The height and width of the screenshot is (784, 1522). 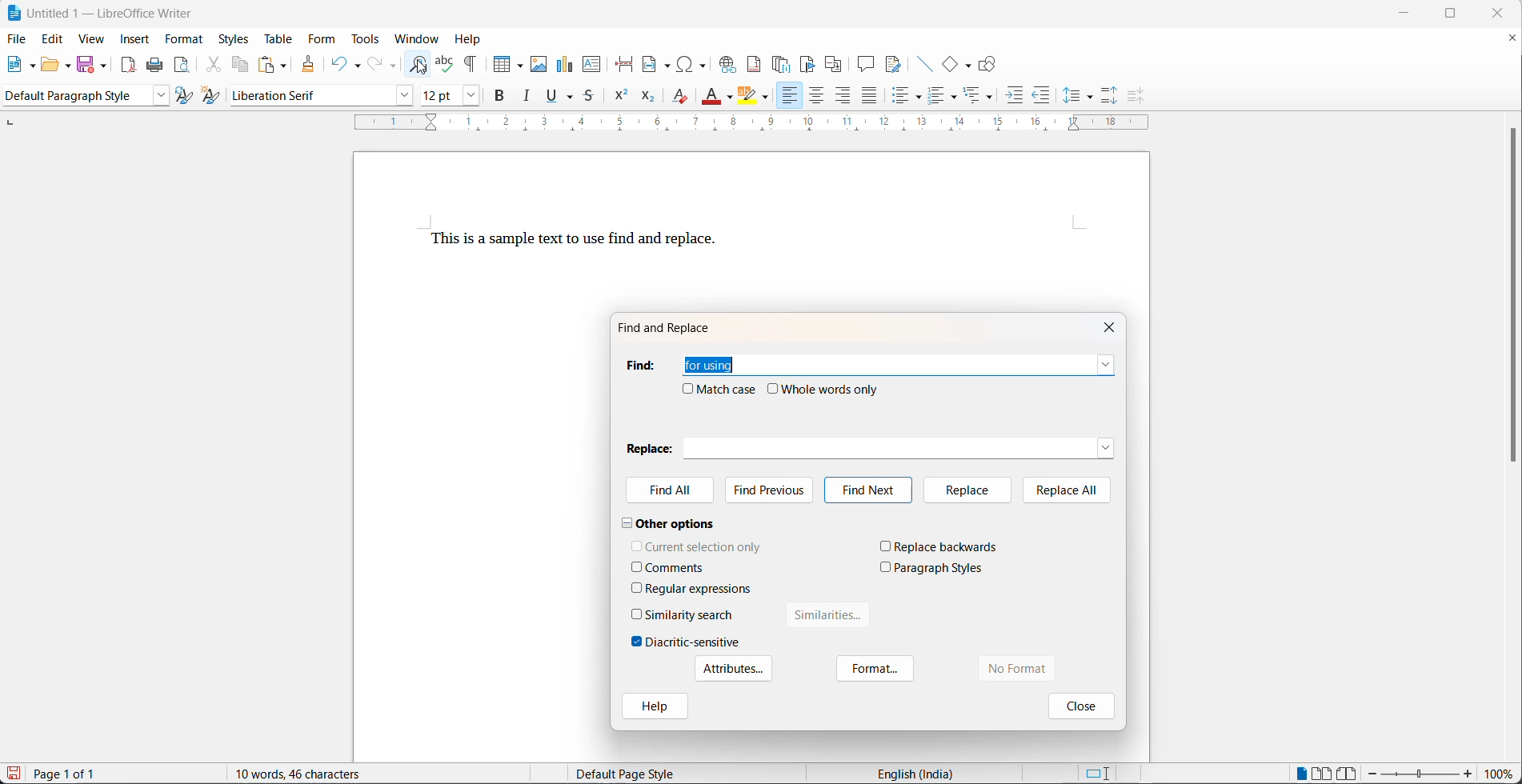 What do you see at coordinates (783, 64) in the screenshot?
I see `insert endnote` at bounding box center [783, 64].